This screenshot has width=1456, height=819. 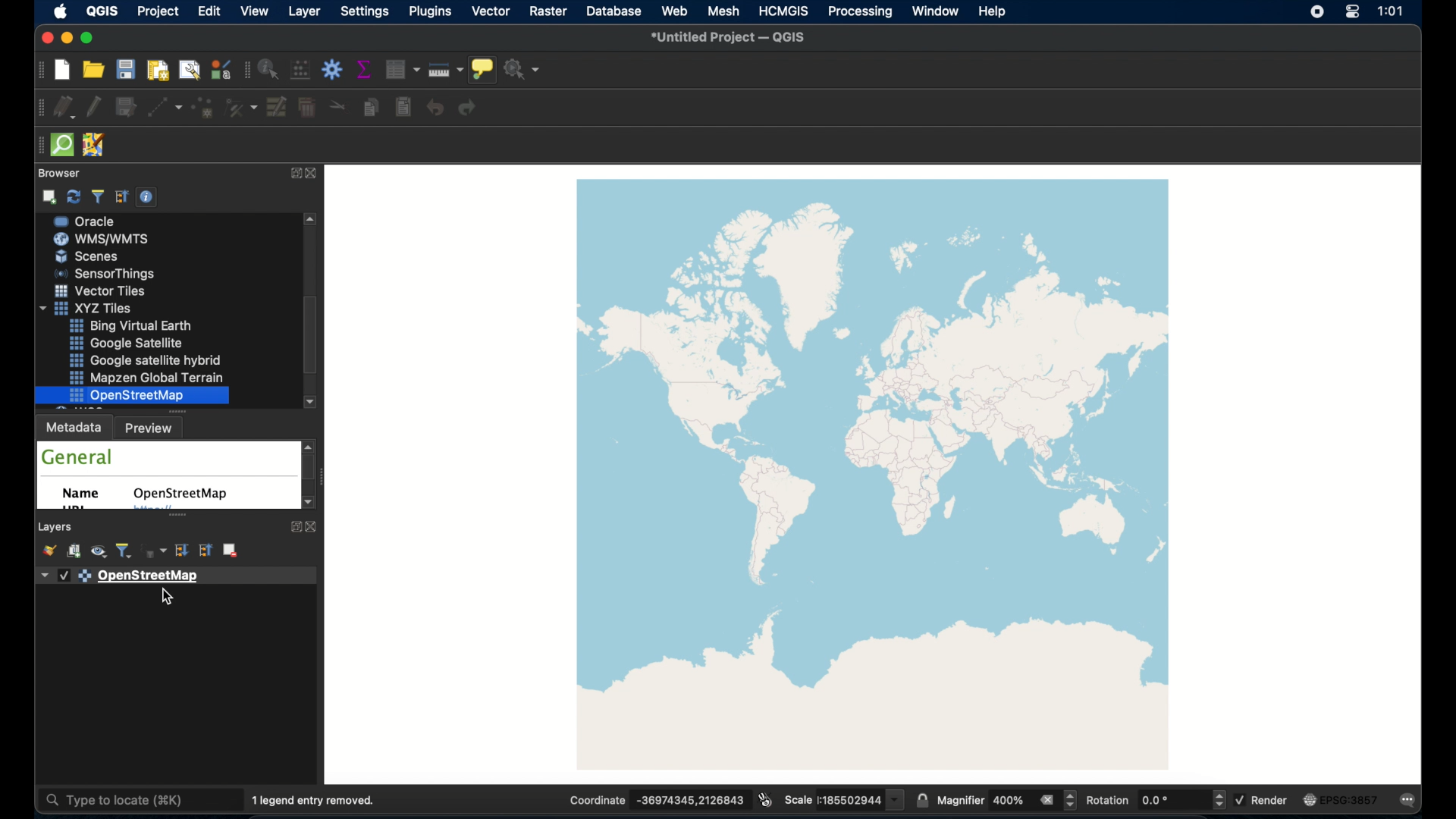 What do you see at coordinates (403, 108) in the screenshot?
I see `paste features` at bounding box center [403, 108].